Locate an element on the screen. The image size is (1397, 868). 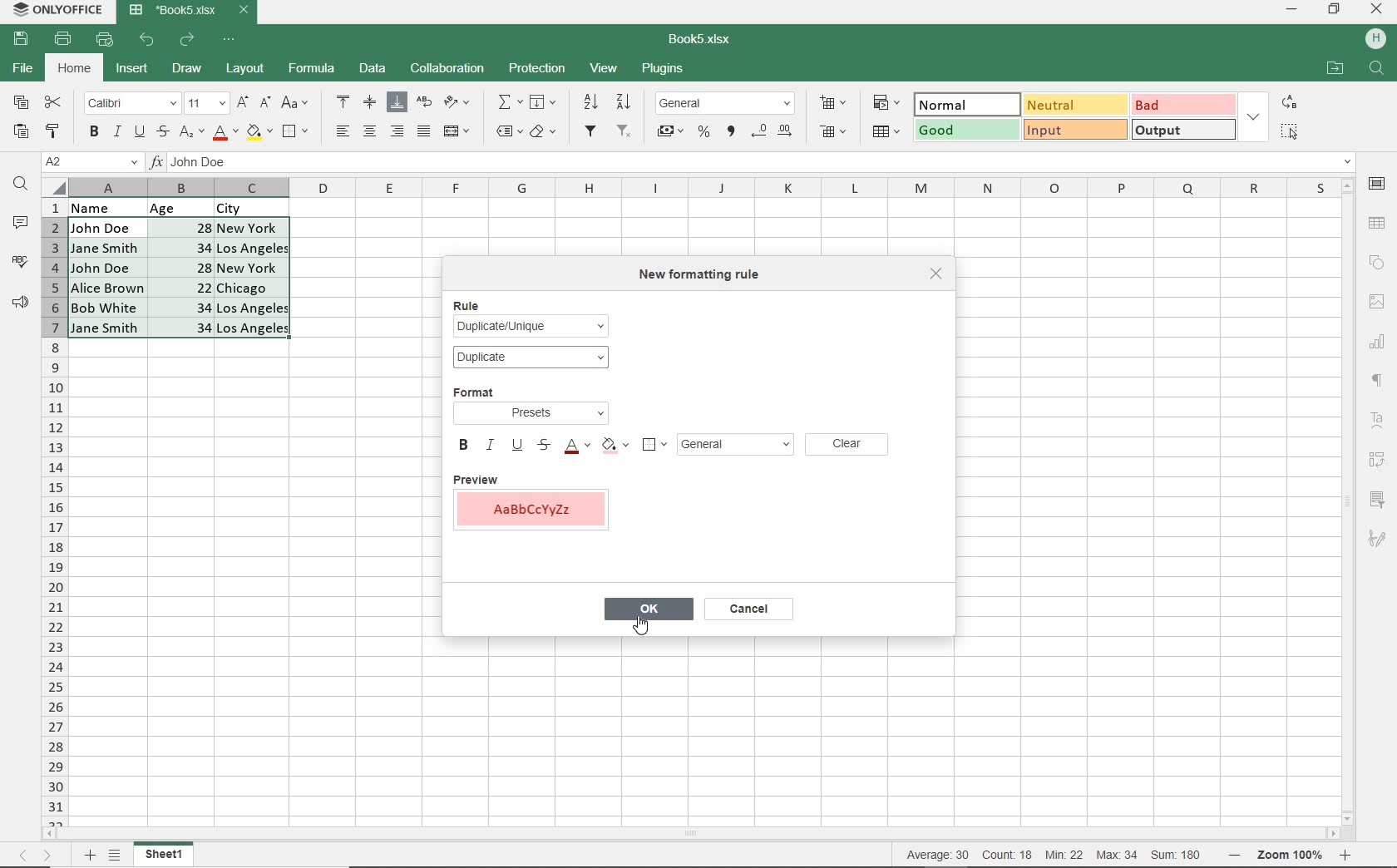
CUT is located at coordinates (54, 102).